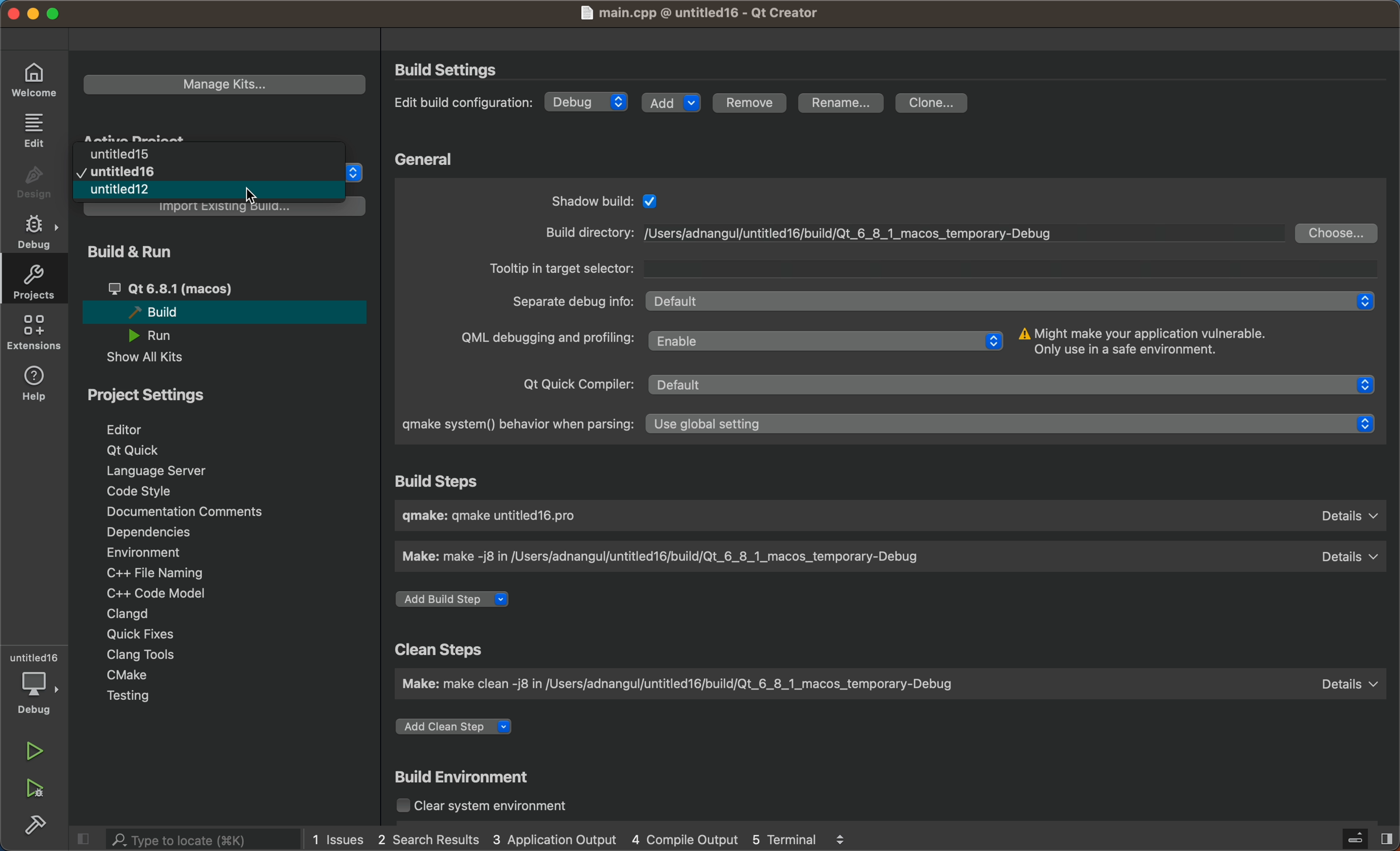 The image size is (1400, 851). I want to click on projects, so click(36, 280).